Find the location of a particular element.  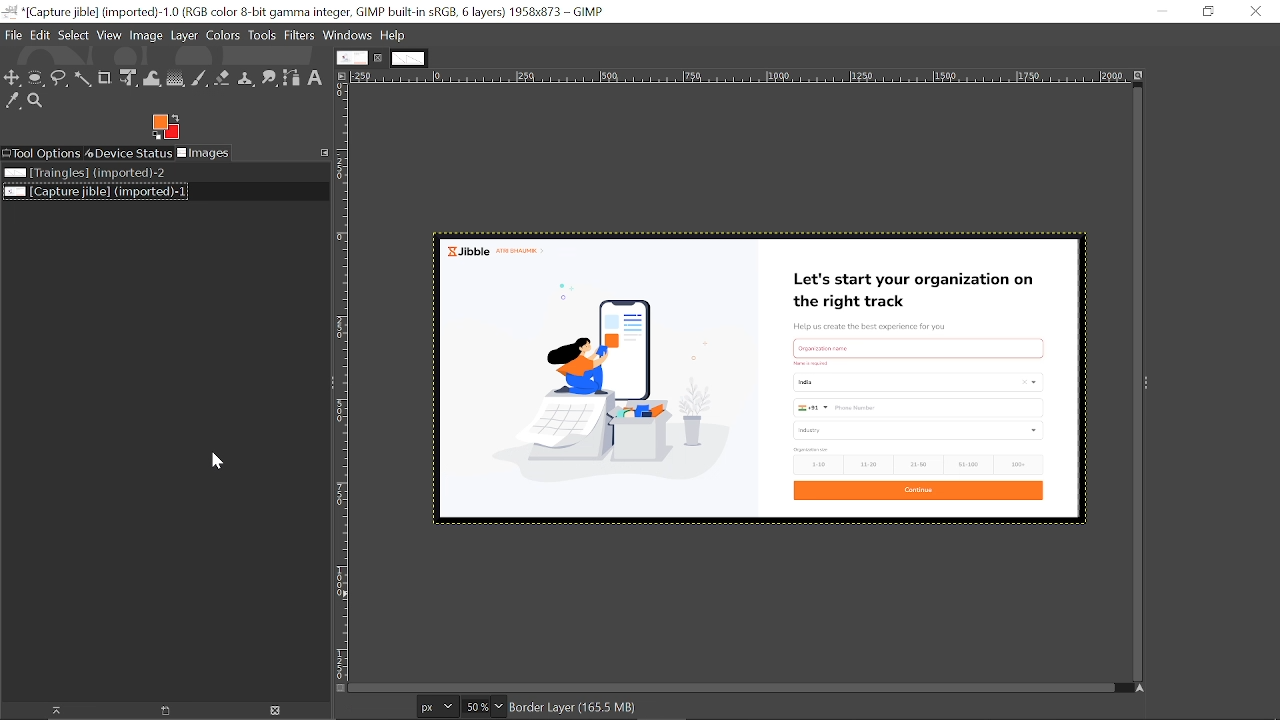

Fuzzy select tool is located at coordinates (82, 79).